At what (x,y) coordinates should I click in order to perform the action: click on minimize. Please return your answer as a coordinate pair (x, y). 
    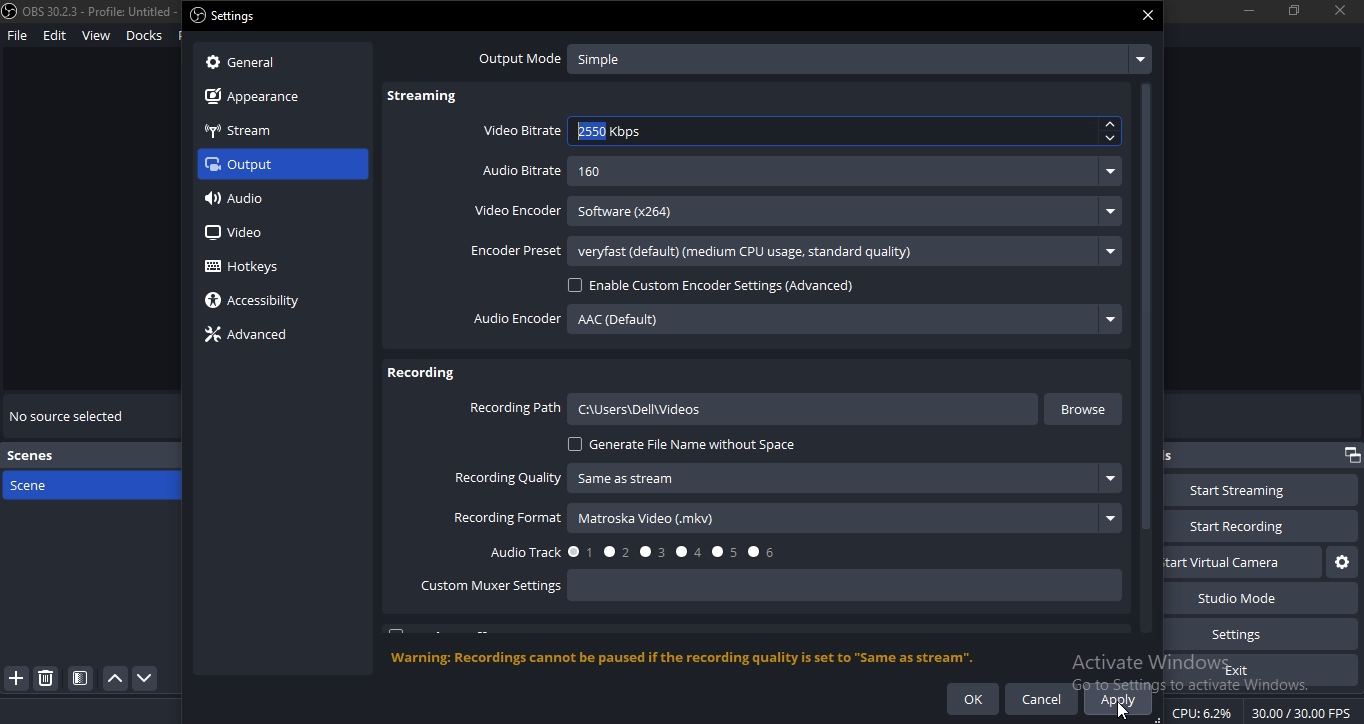
    Looking at the image, I should click on (1248, 10).